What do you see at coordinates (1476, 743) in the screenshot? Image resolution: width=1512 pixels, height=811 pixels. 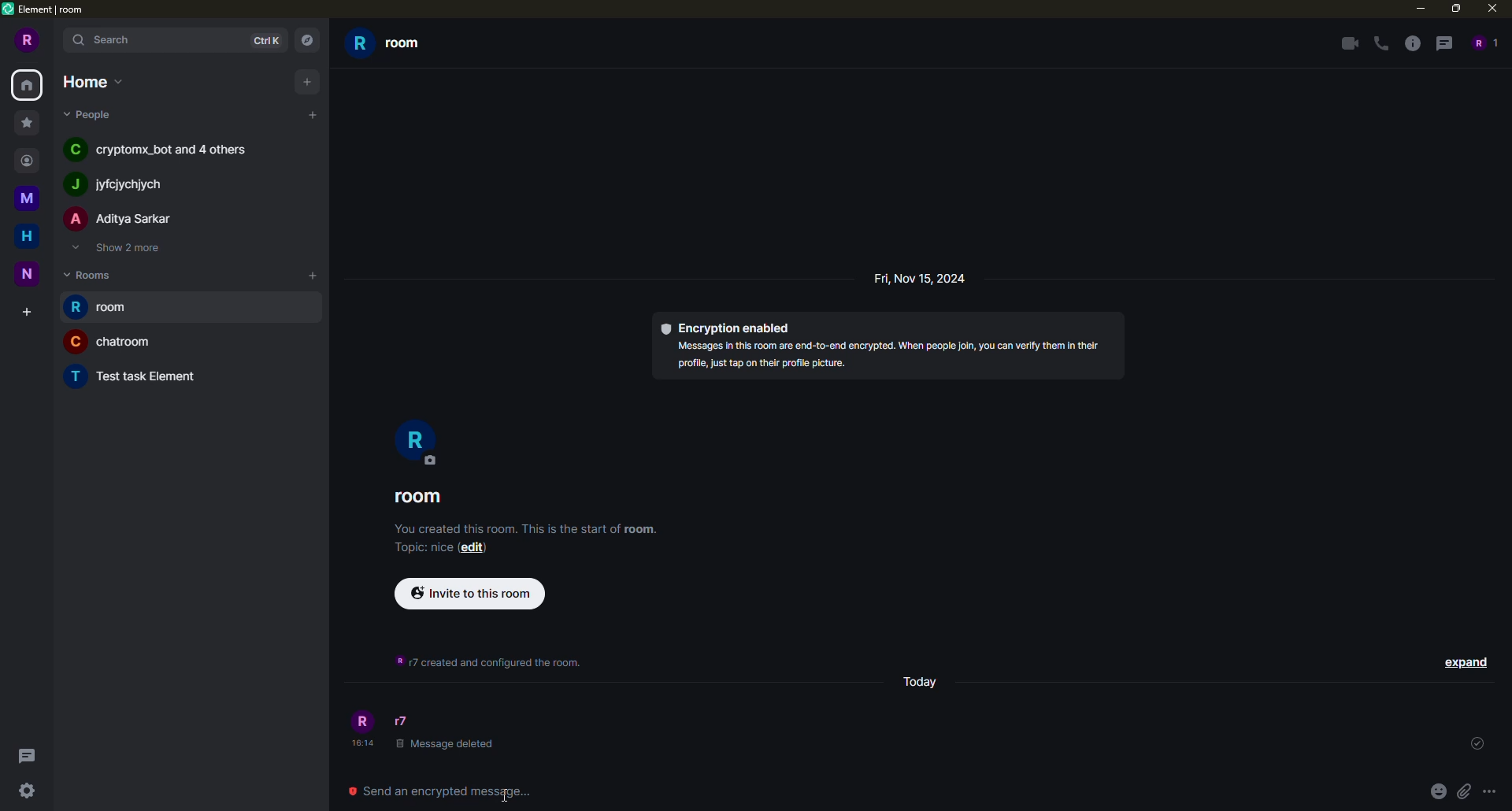 I see `sent` at bounding box center [1476, 743].